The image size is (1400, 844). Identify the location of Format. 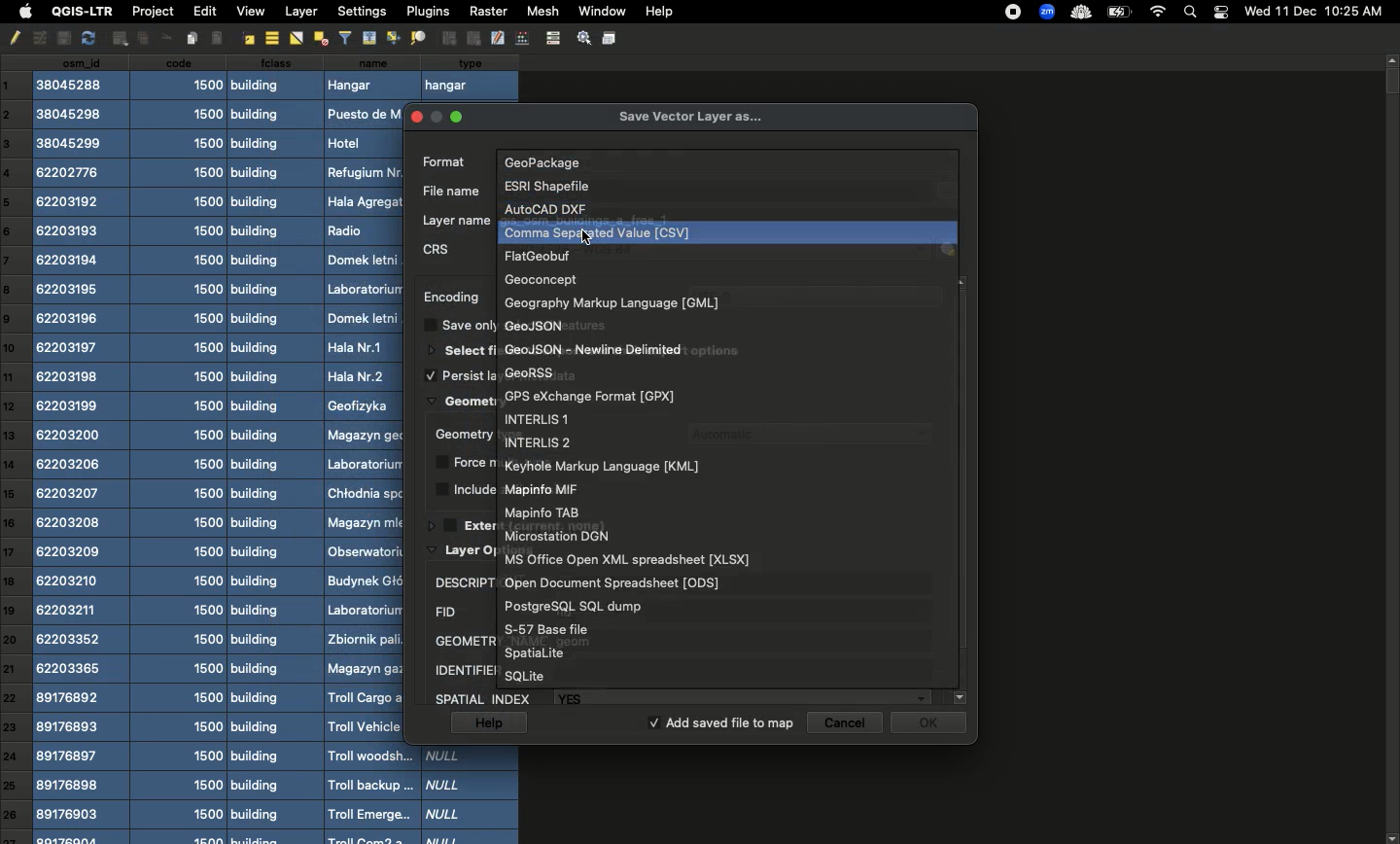
(538, 418).